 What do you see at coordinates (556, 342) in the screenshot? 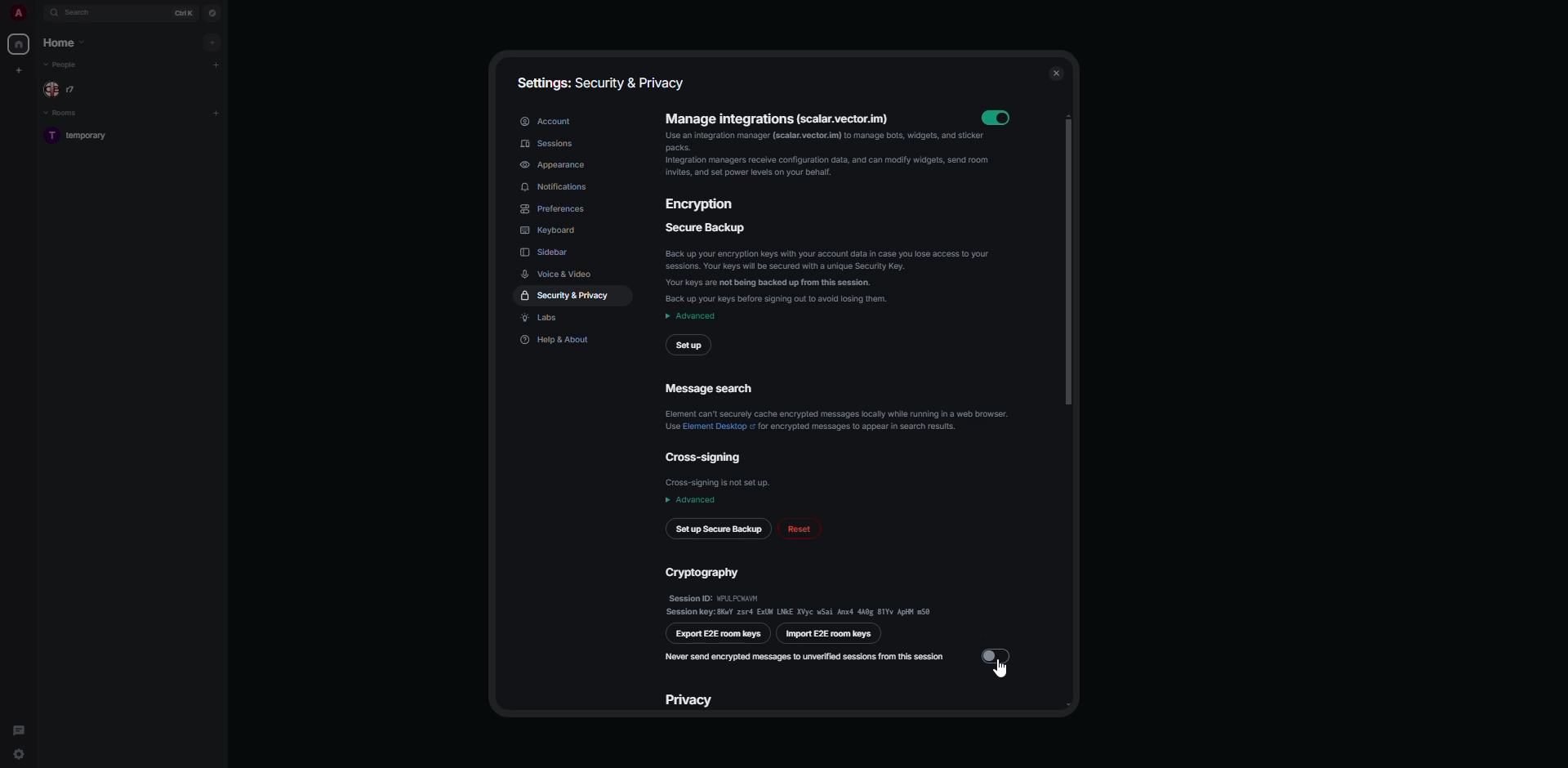
I see `help & about` at bounding box center [556, 342].